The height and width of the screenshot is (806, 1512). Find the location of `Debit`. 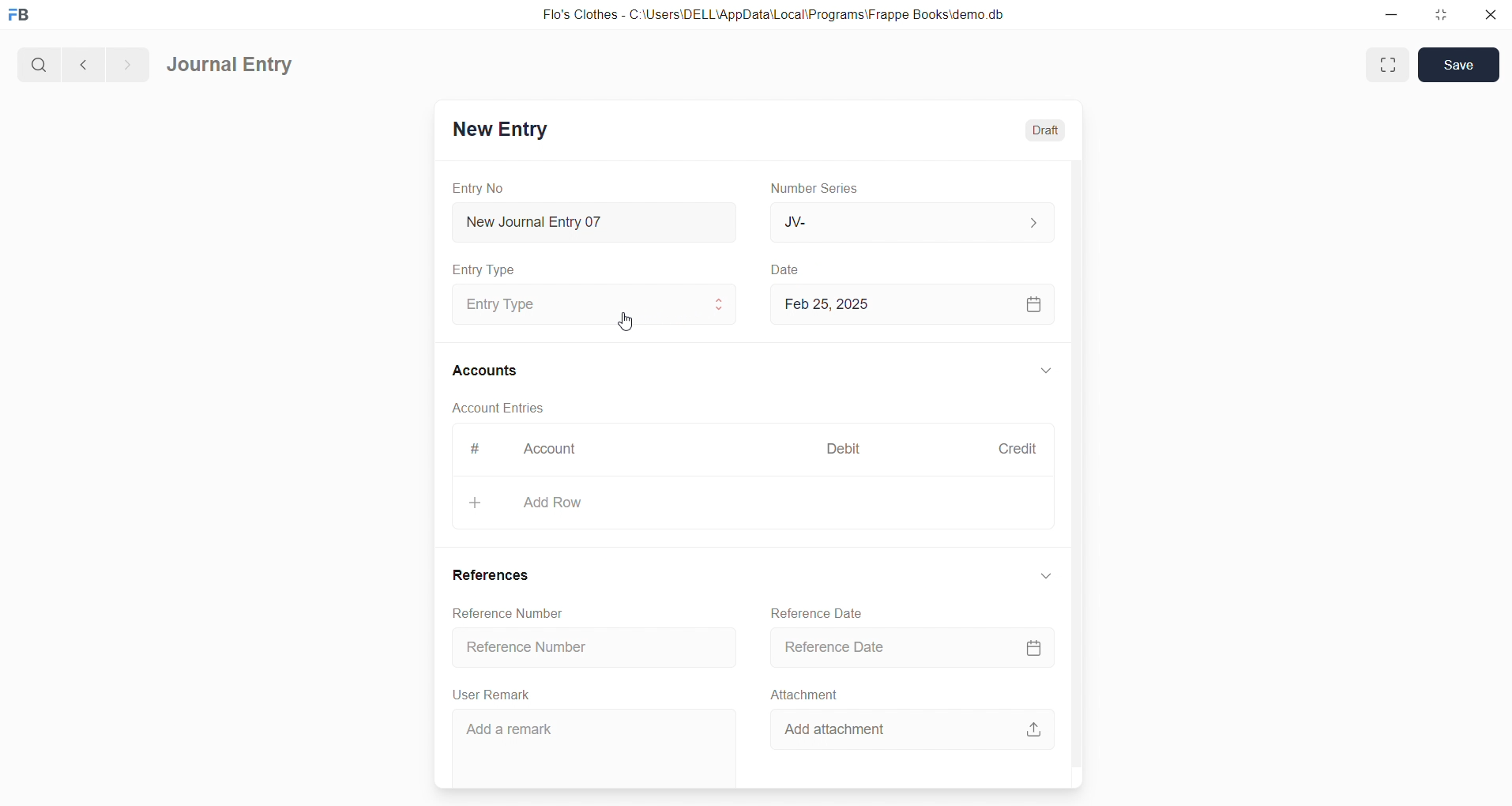

Debit is located at coordinates (844, 447).